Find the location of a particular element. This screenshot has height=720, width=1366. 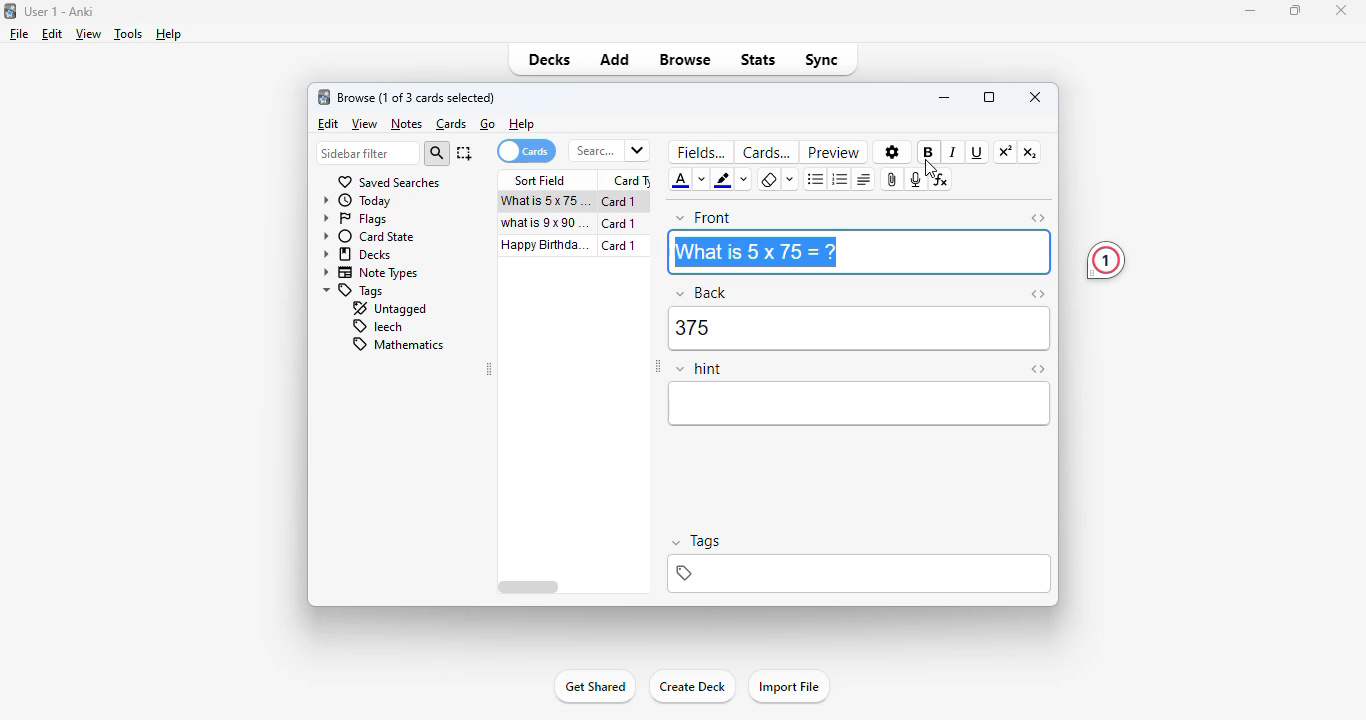

sidebar filter is located at coordinates (366, 153).